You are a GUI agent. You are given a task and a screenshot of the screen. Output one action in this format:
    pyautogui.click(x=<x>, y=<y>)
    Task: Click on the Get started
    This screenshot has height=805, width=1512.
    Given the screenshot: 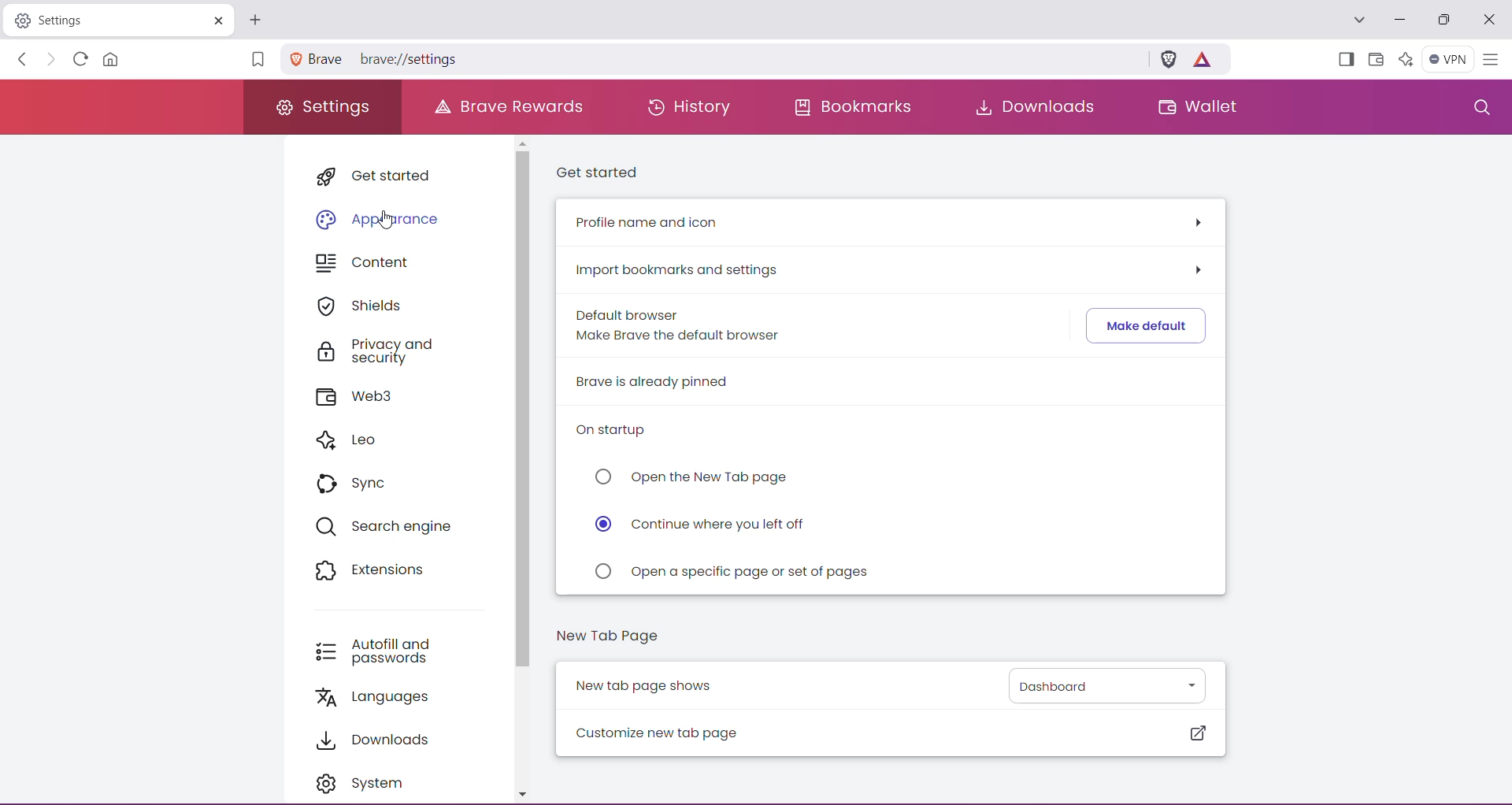 What is the action you would take?
    pyautogui.click(x=375, y=175)
    